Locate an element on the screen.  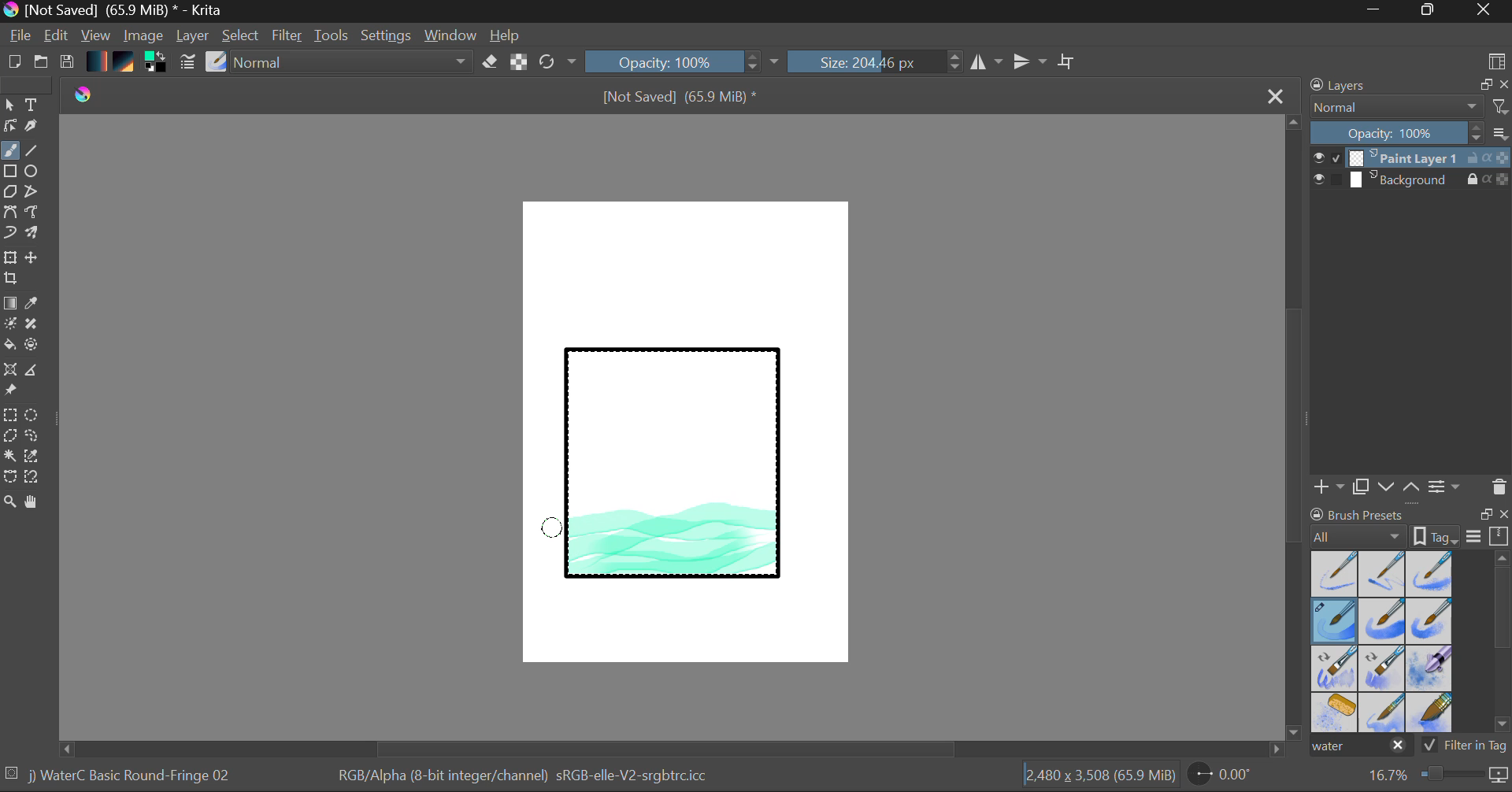
File is located at coordinates (20, 38).